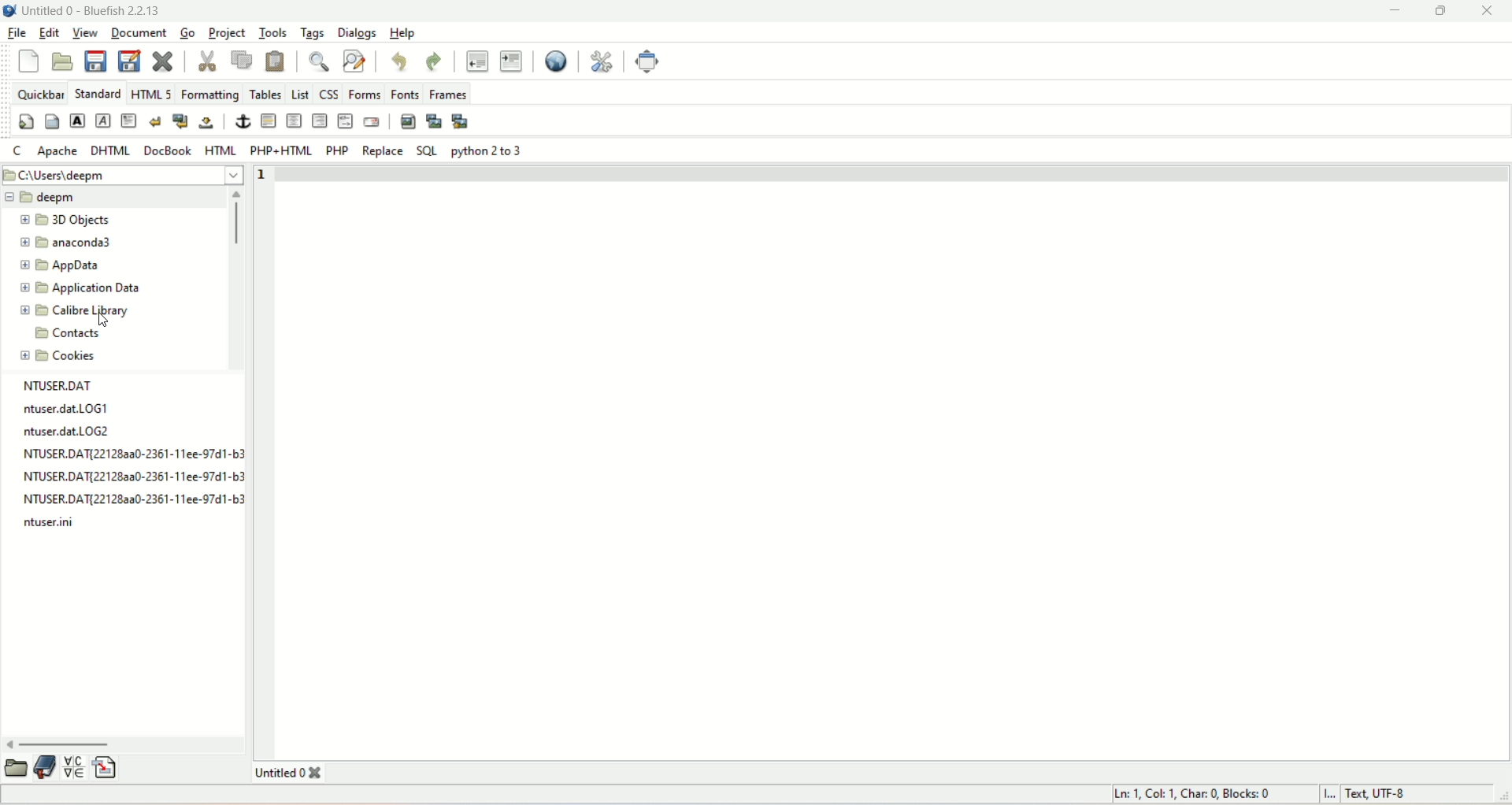 This screenshot has width=1512, height=805. What do you see at coordinates (382, 154) in the screenshot?
I see `REPLACE` at bounding box center [382, 154].